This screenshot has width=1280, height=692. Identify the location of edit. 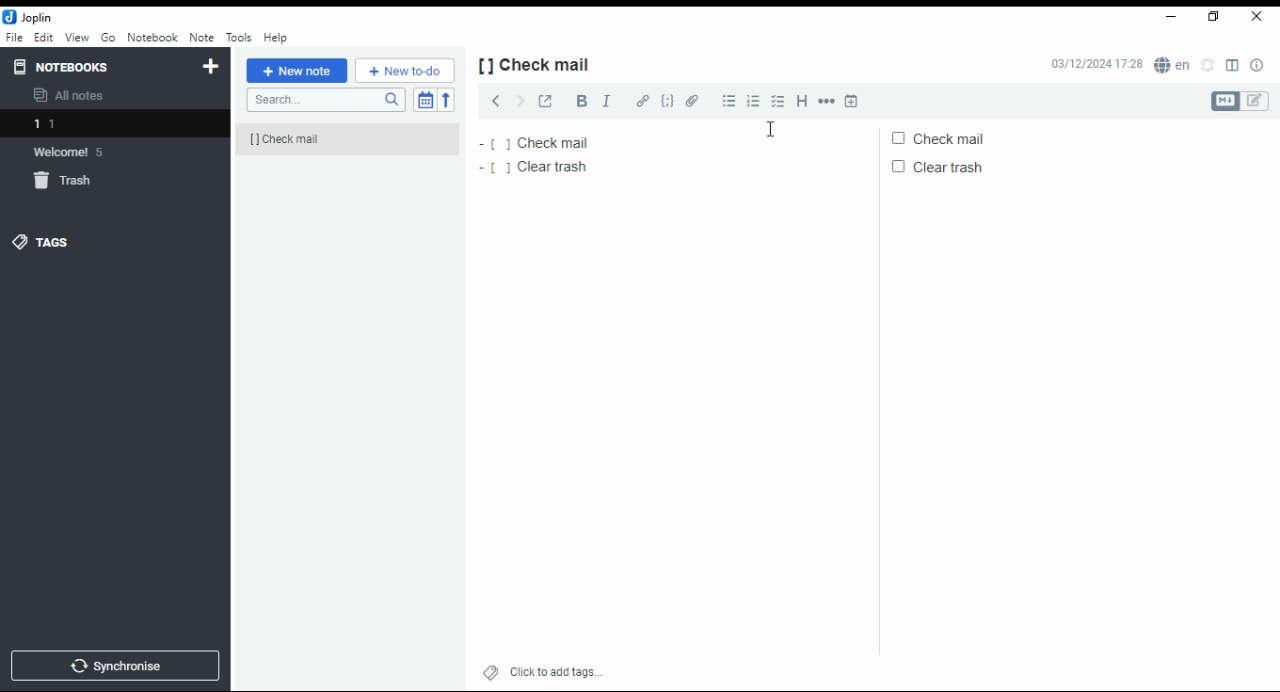
(44, 36).